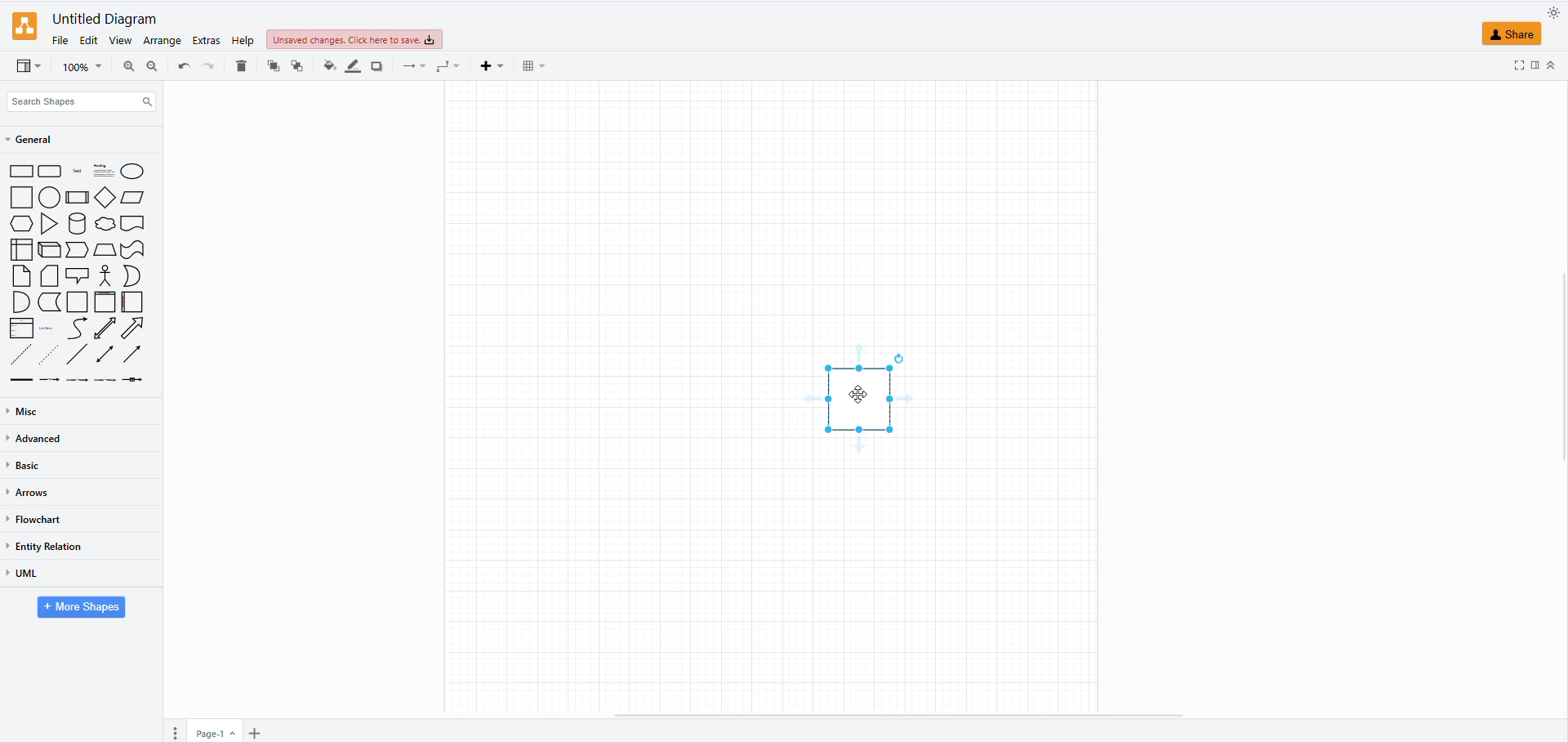 The width and height of the screenshot is (1568, 742). What do you see at coordinates (51, 302) in the screenshot?
I see `data storage` at bounding box center [51, 302].